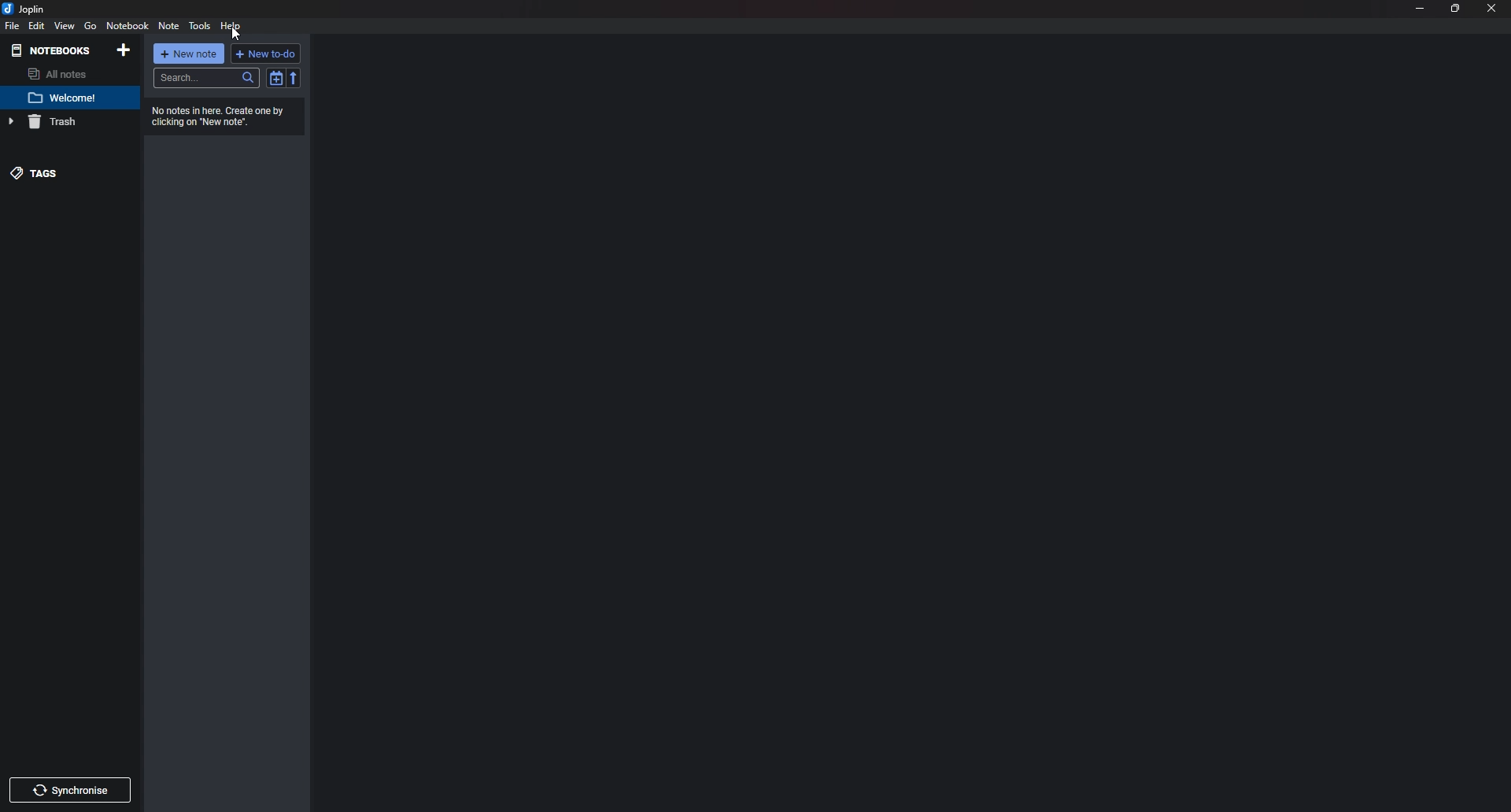  I want to click on All notes, so click(64, 74).